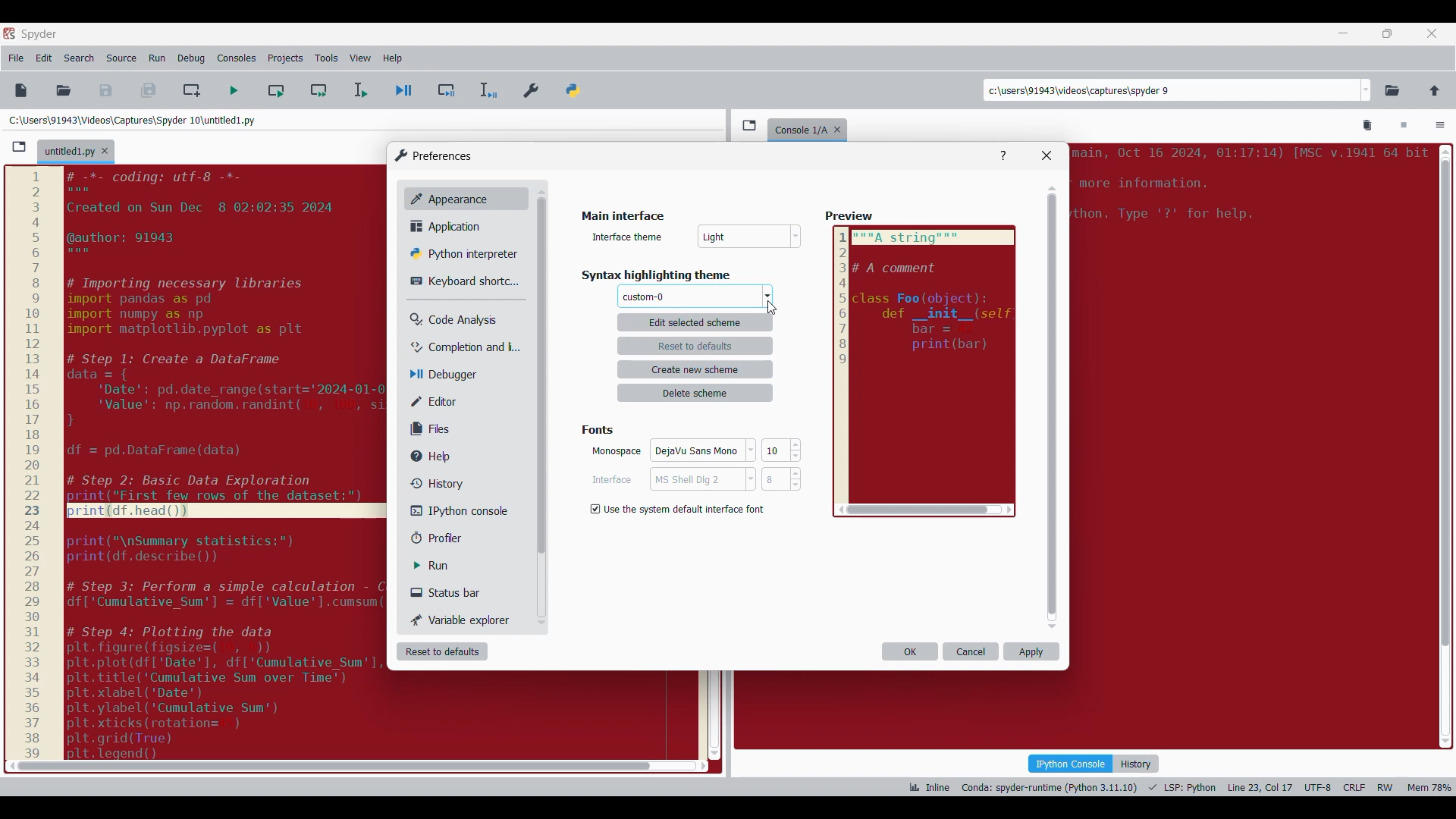  What do you see at coordinates (438, 457) in the screenshot?
I see `Help` at bounding box center [438, 457].